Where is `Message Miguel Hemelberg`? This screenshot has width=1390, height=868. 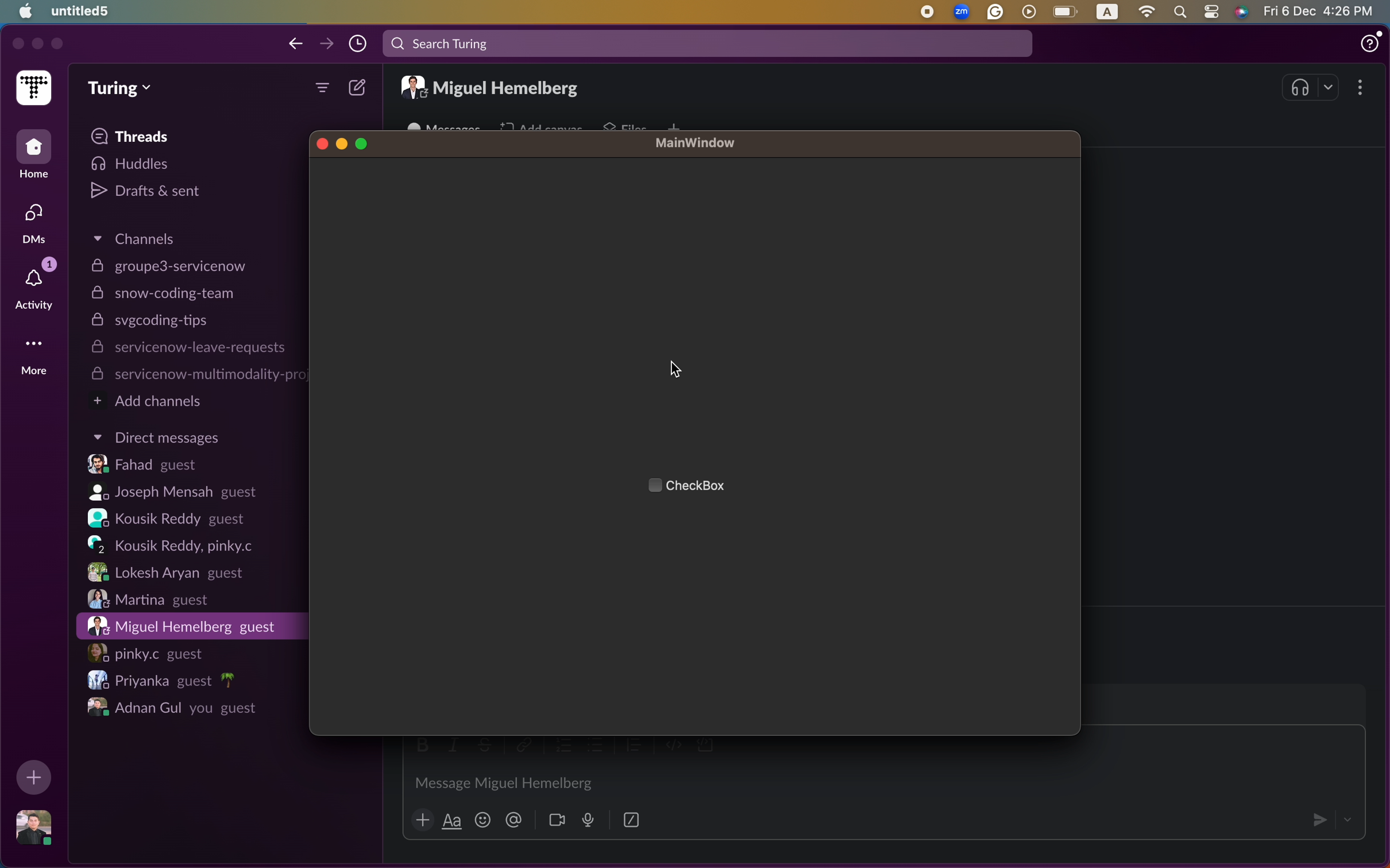
Message Miguel Hemelberg is located at coordinates (501, 781).